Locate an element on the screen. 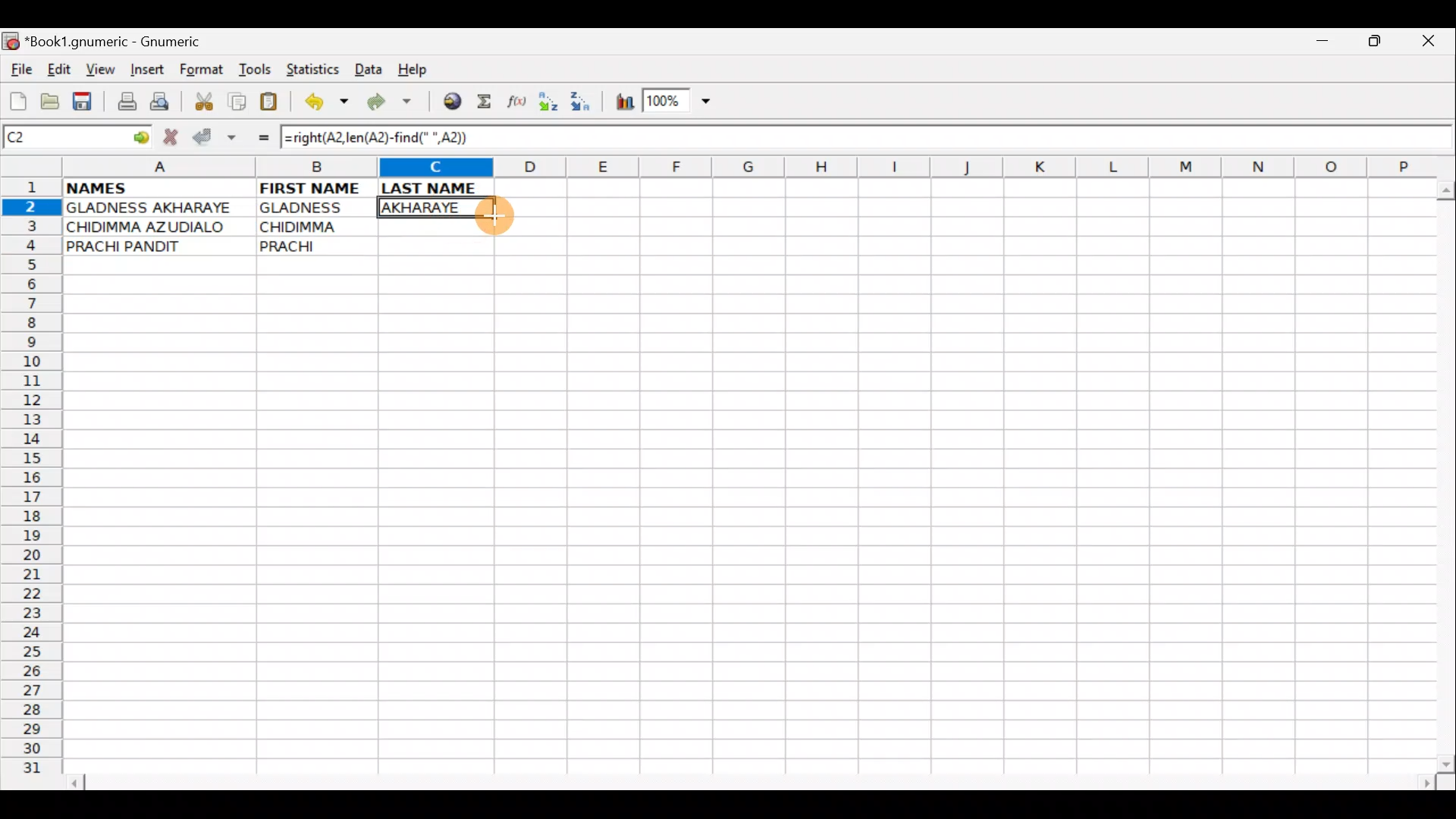  File is located at coordinates (20, 71).